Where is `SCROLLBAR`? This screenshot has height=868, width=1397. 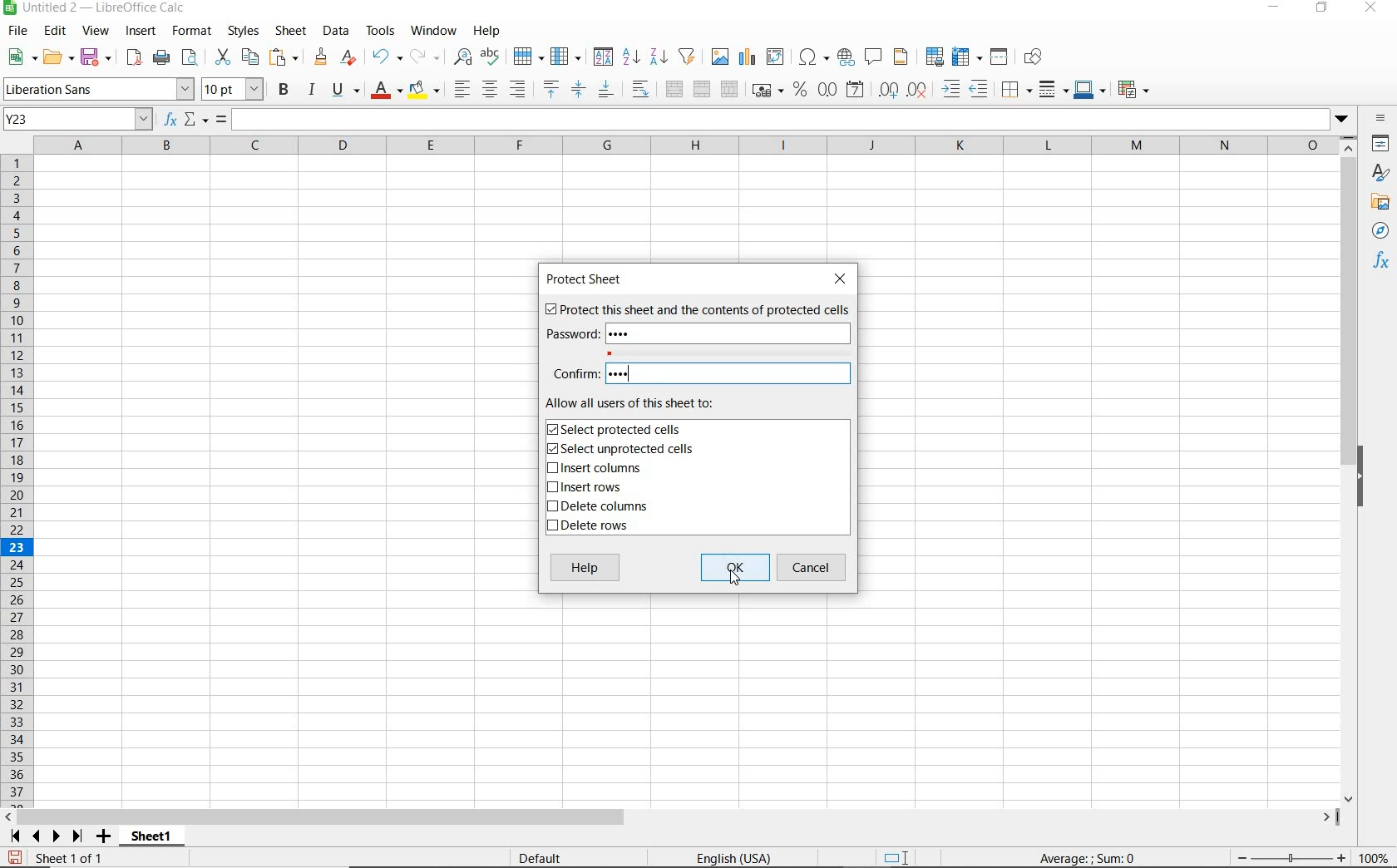
SCROLLBAR is located at coordinates (1349, 470).